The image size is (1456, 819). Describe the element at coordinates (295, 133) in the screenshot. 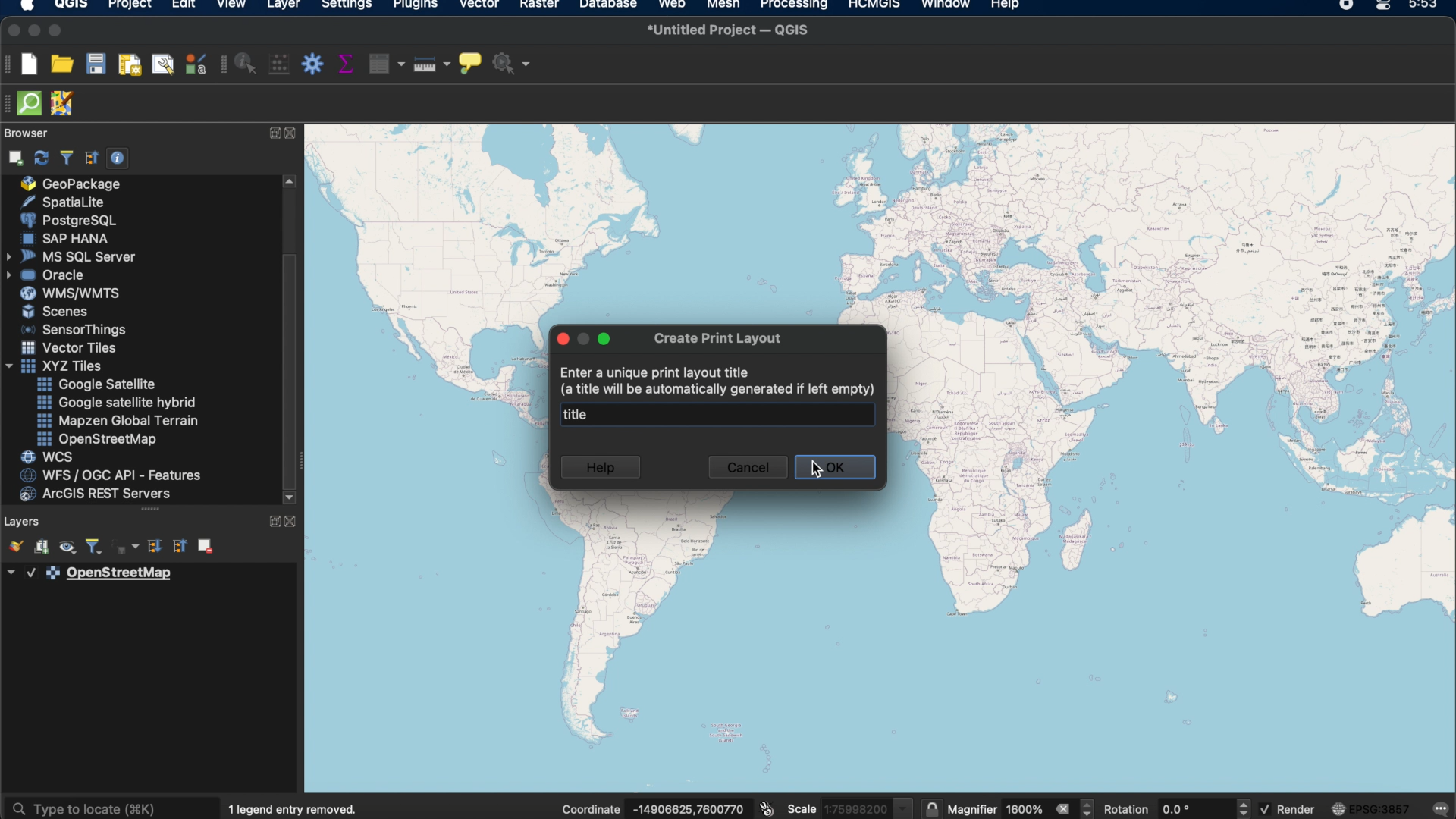

I see `close` at that location.